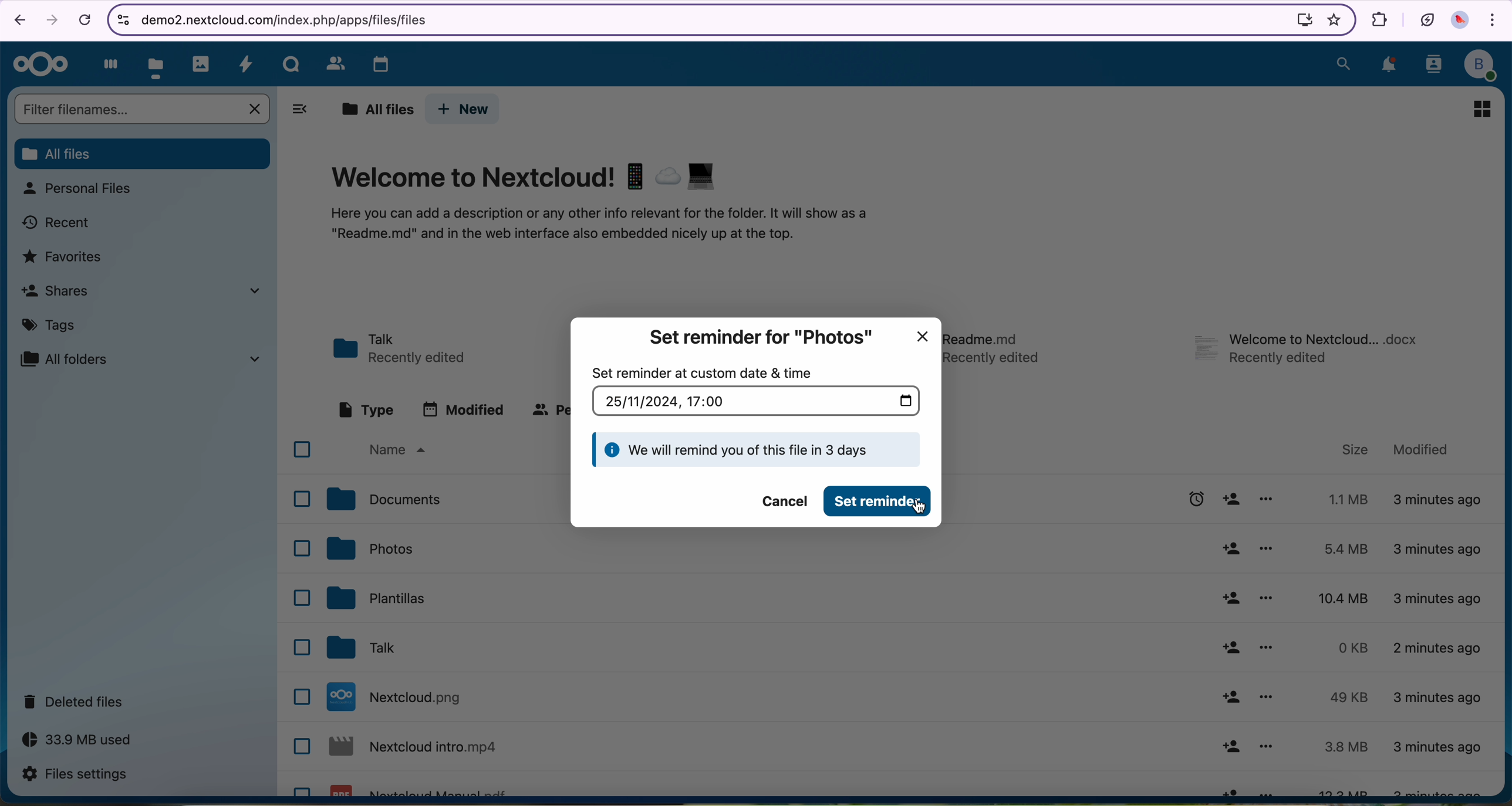  I want to click on Talk folder, so click(404, 347).